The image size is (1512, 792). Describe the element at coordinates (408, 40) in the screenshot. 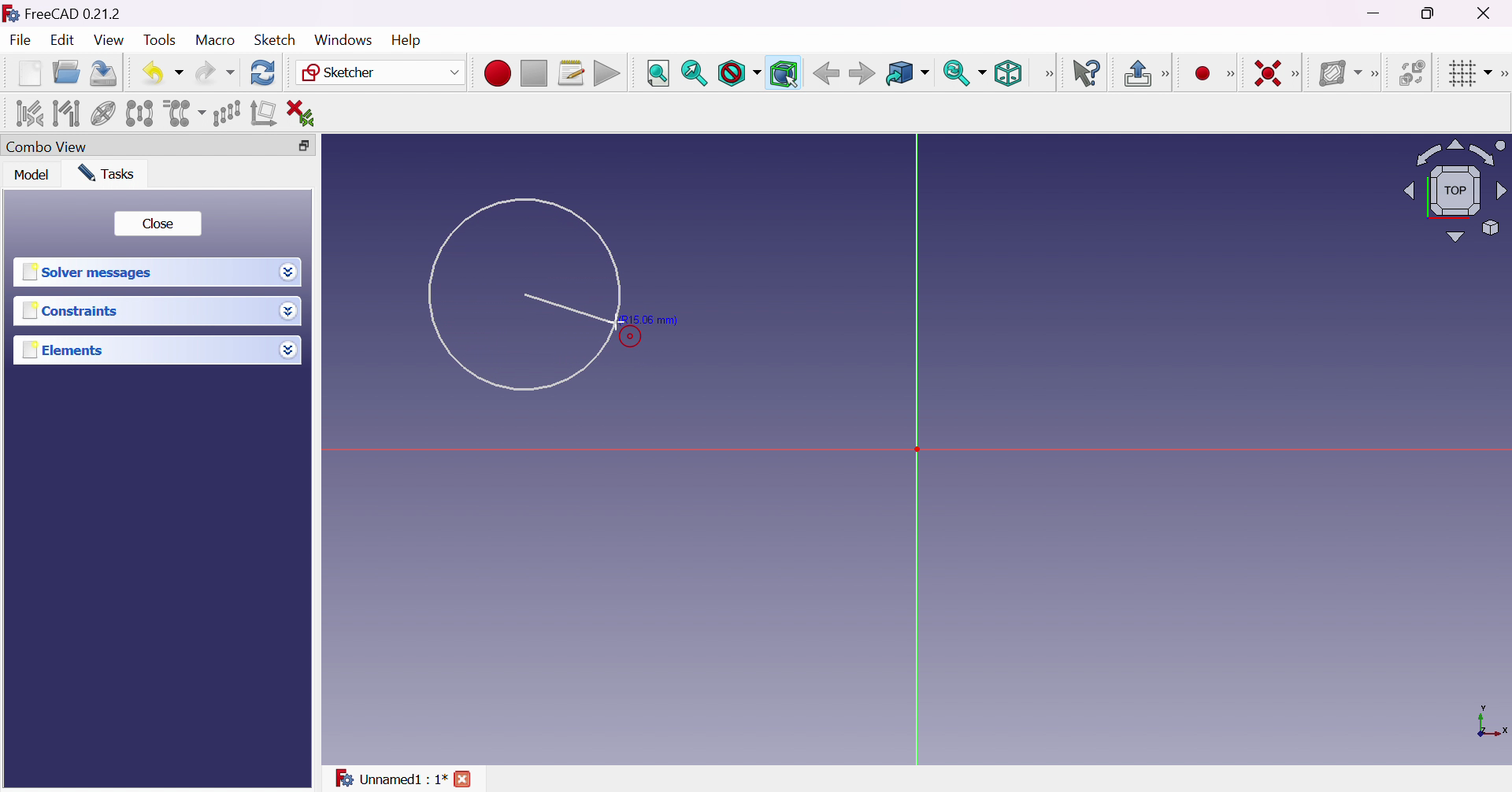

I see `Help` at that location.